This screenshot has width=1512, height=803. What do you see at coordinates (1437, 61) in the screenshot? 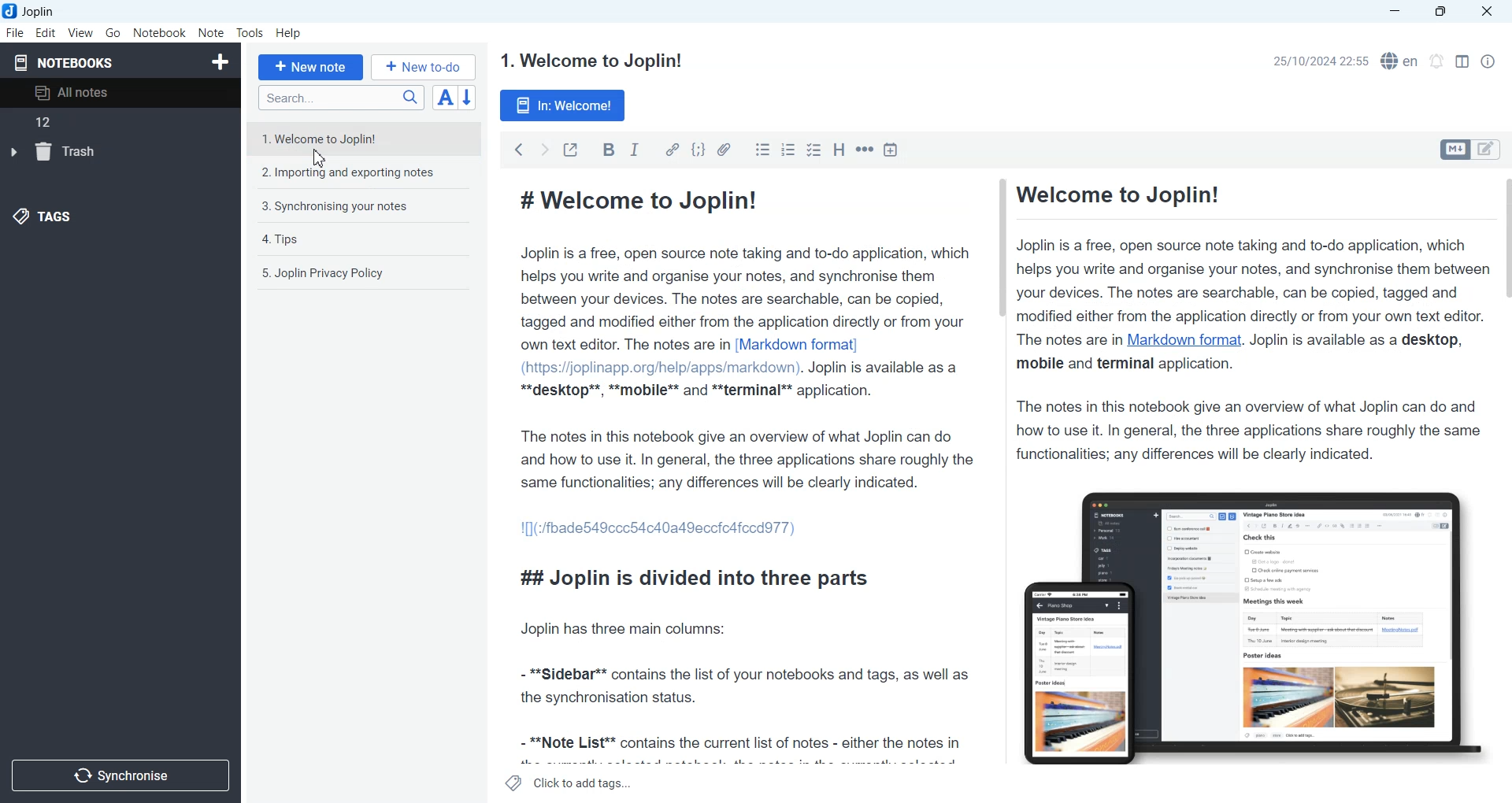
I see `Set timer` at bounding box center [1437, 61].